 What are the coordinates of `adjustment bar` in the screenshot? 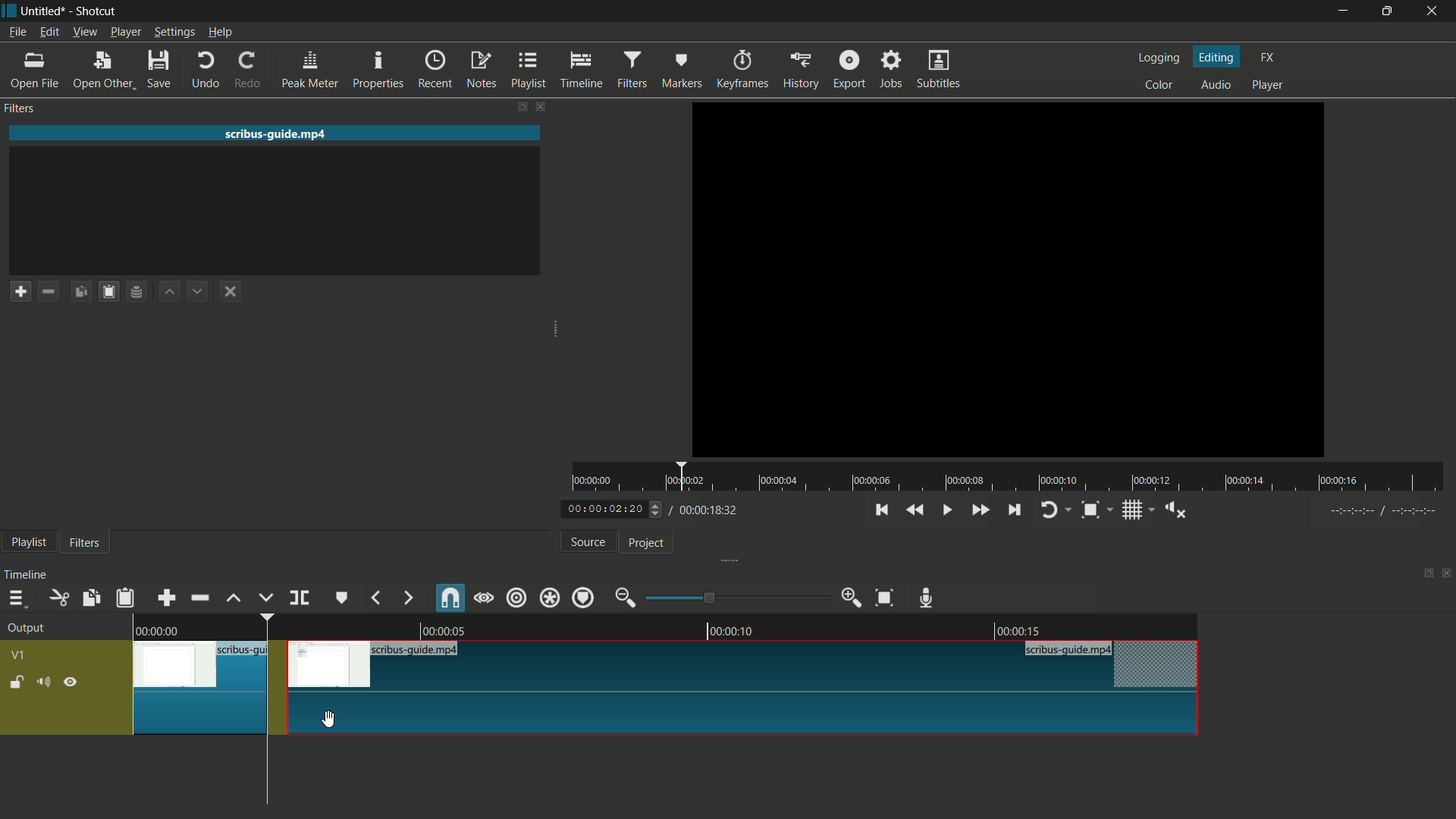 It's located at (737, 598).